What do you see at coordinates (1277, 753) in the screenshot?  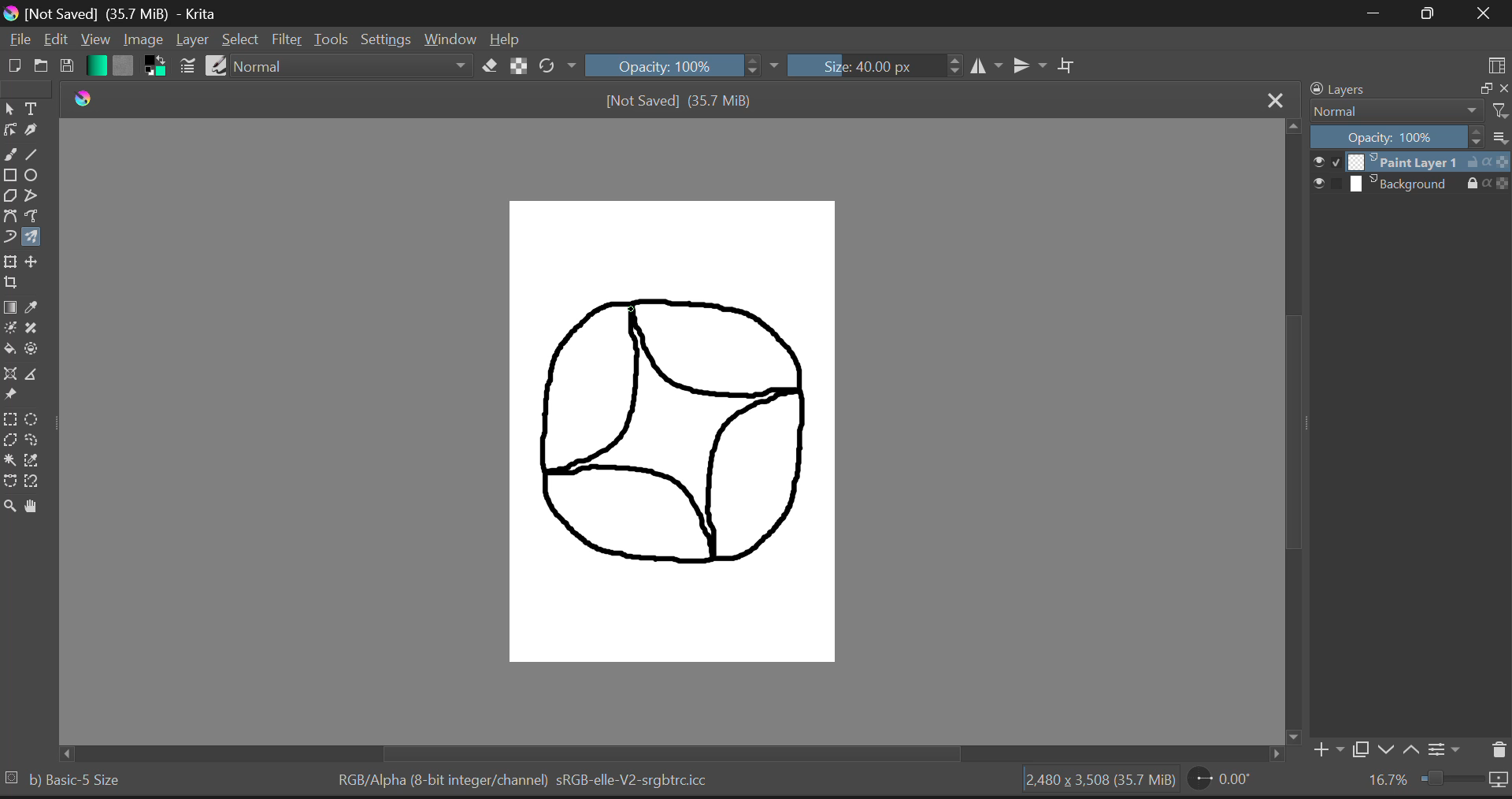 I see `` at bounding box center [1277, 753].